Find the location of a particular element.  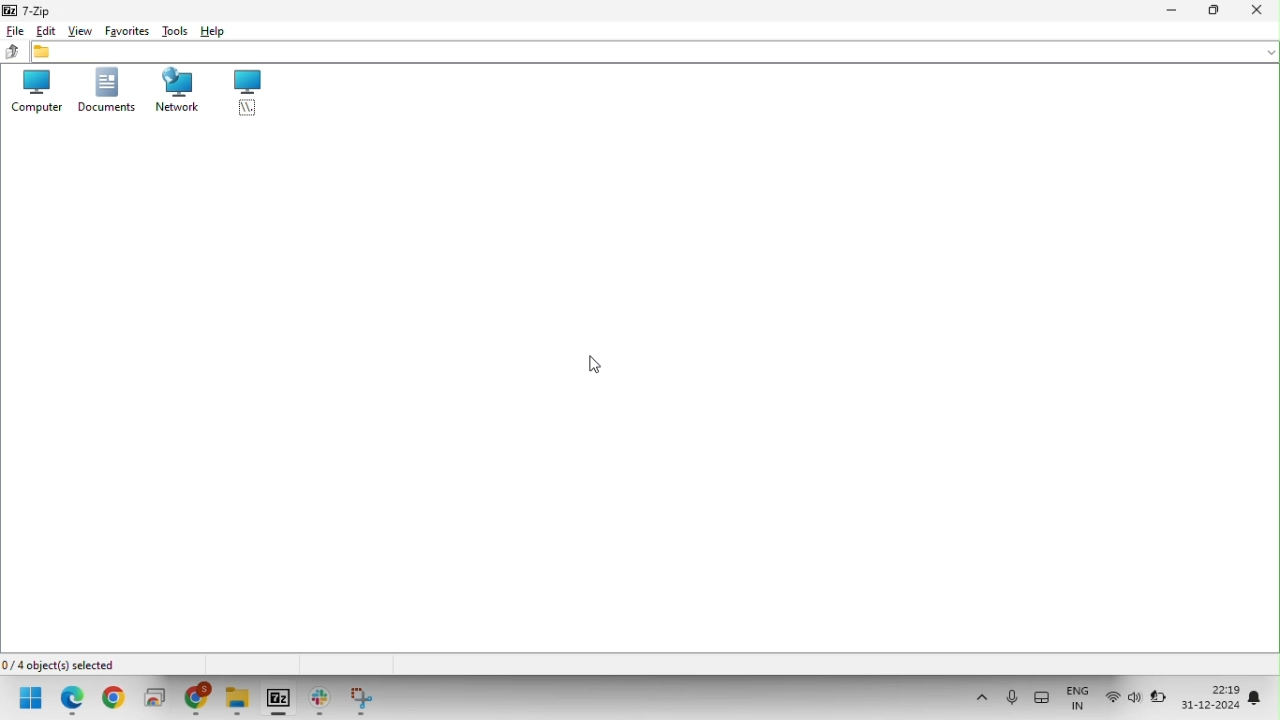

chrome profile is located at coordinates (197, 700).